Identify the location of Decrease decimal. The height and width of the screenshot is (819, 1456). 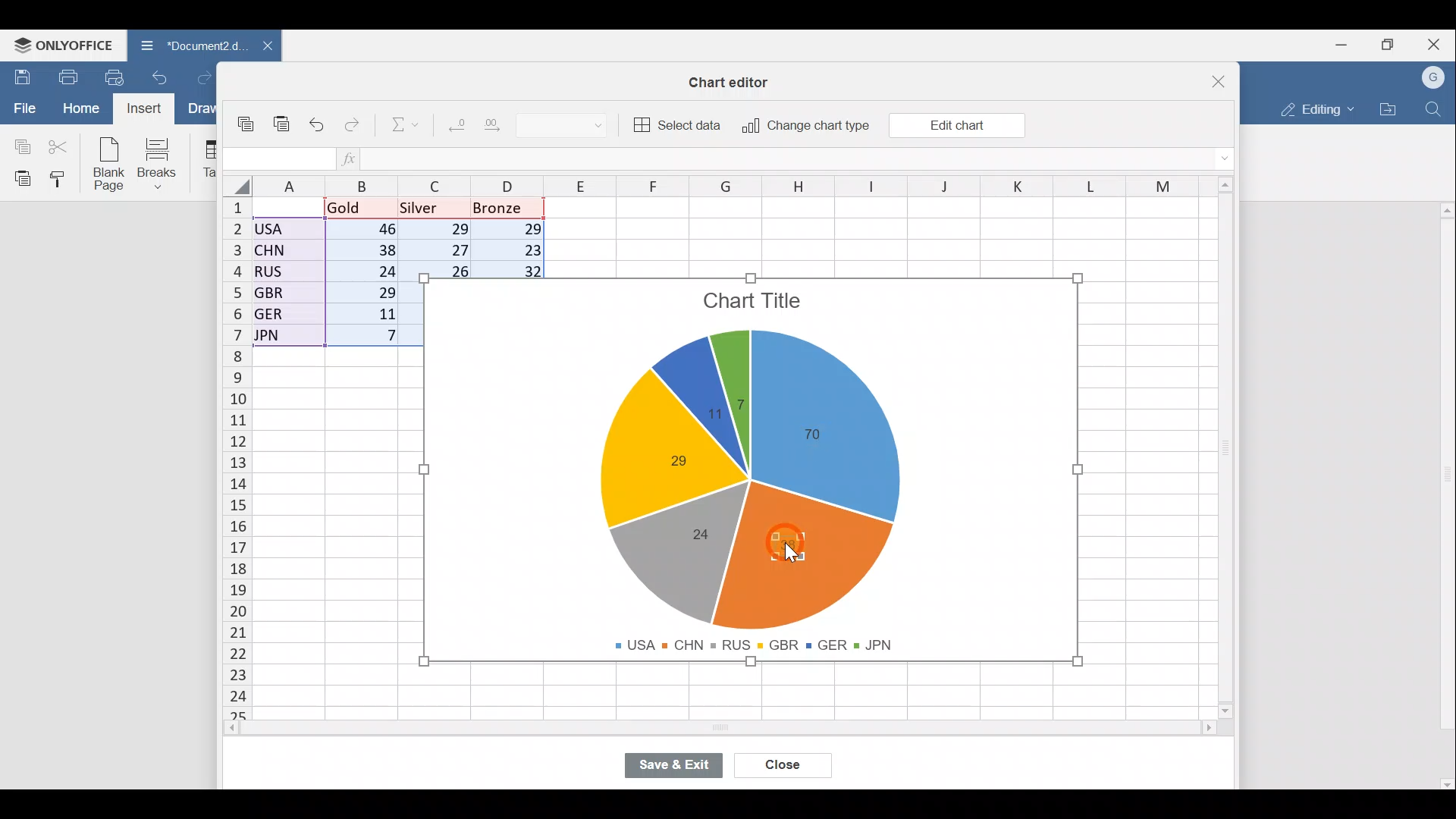
(456, 121).